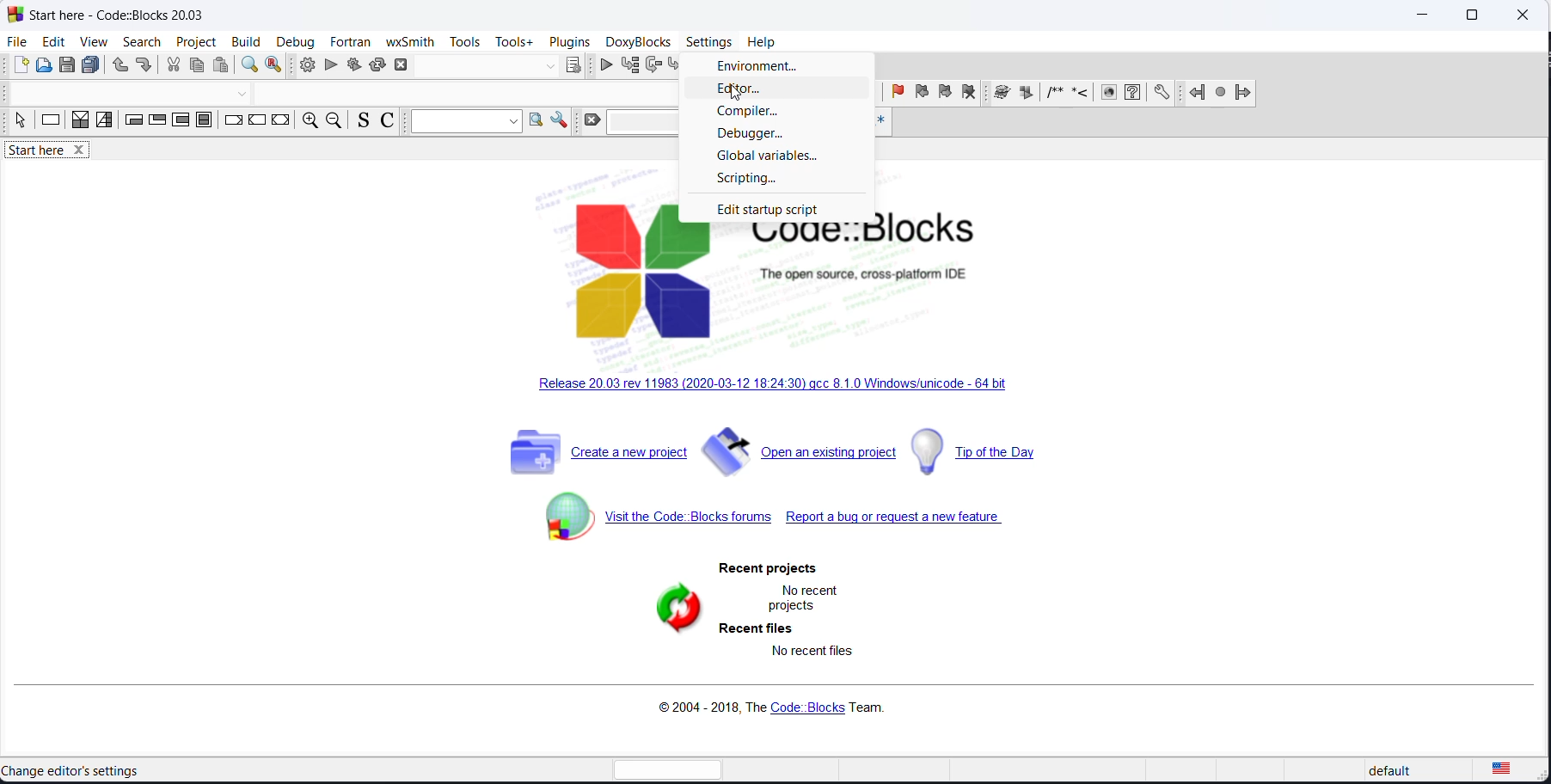  Describe the element at coordinates (777, 391) in the screenshot. I see `new release` at that location.